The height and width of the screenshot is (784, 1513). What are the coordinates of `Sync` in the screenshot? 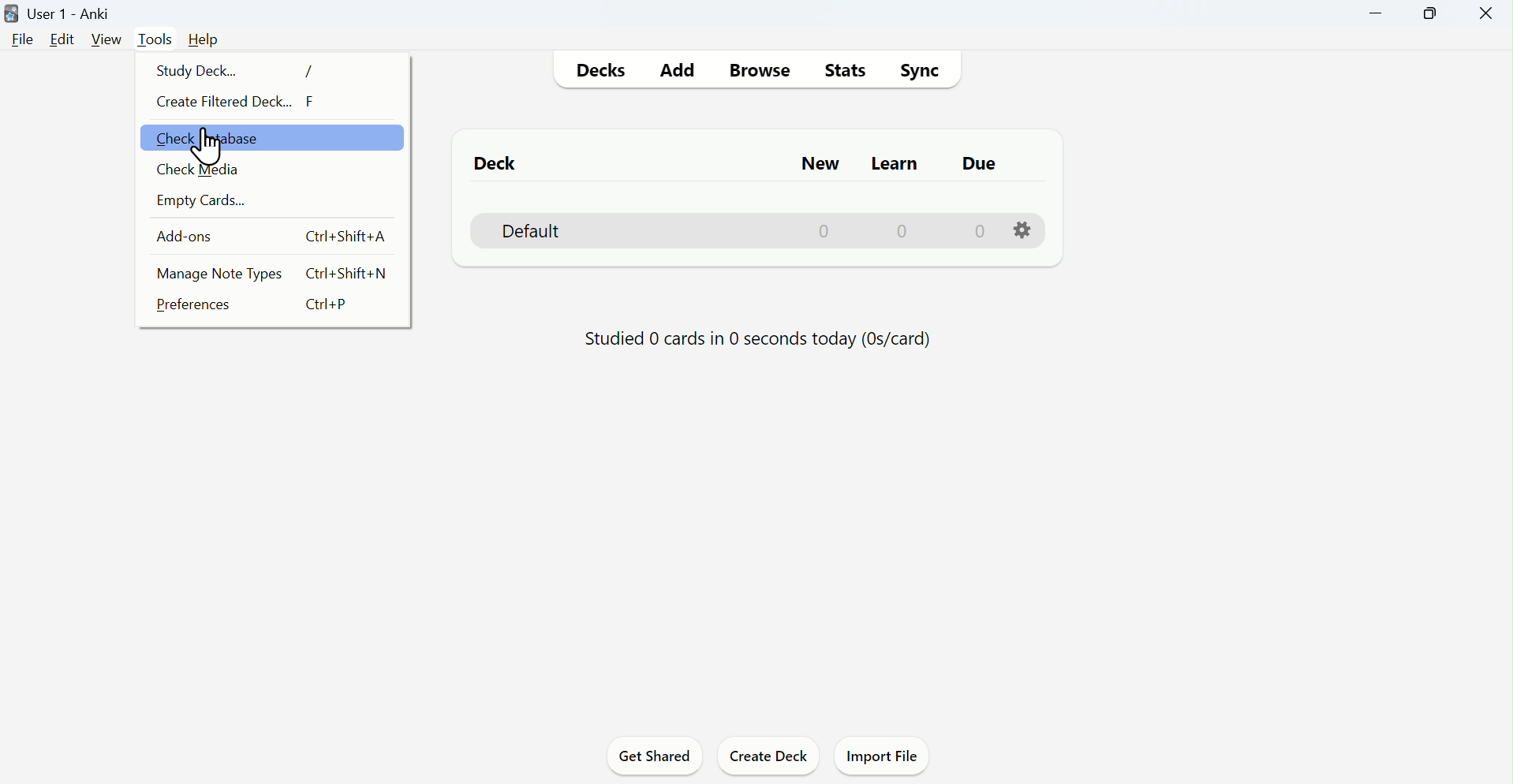 It's located at (927, 66).